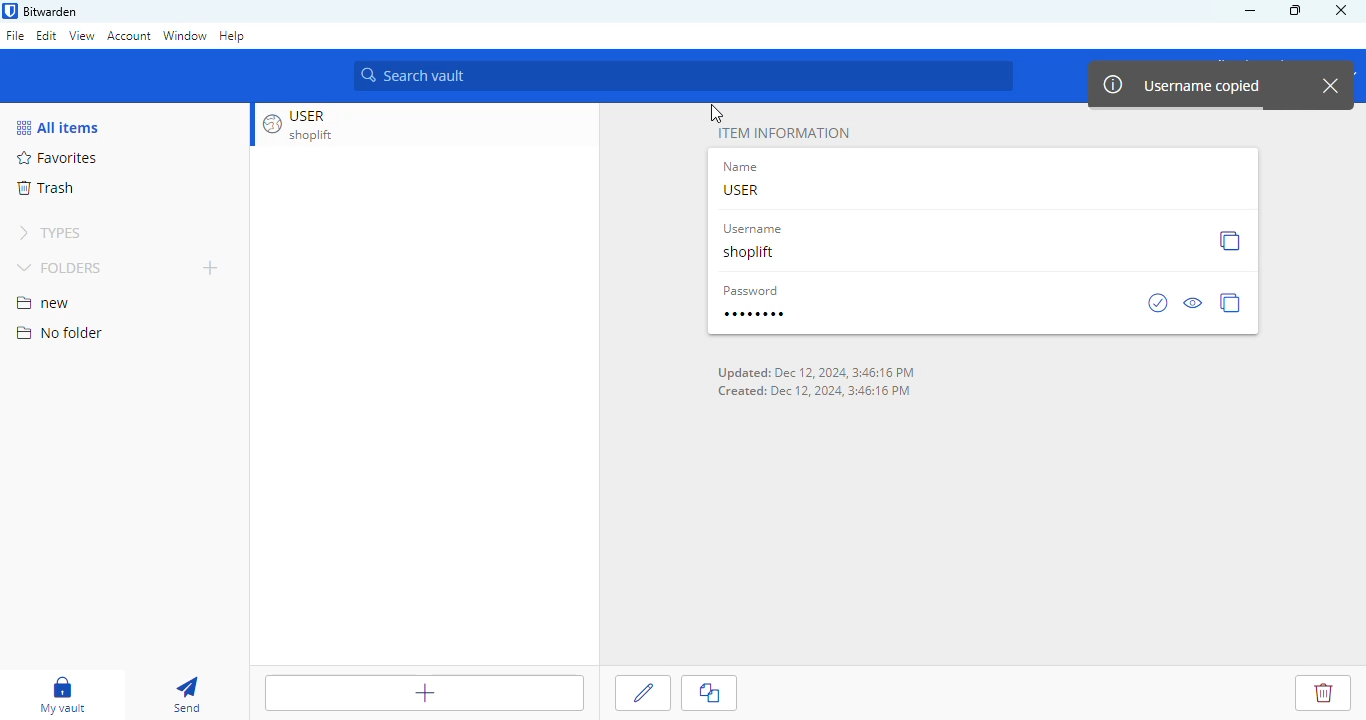  What do you see at coordinates (64, 693) in the screenshot?
I see `my vault` at bounding box center [64, 693].